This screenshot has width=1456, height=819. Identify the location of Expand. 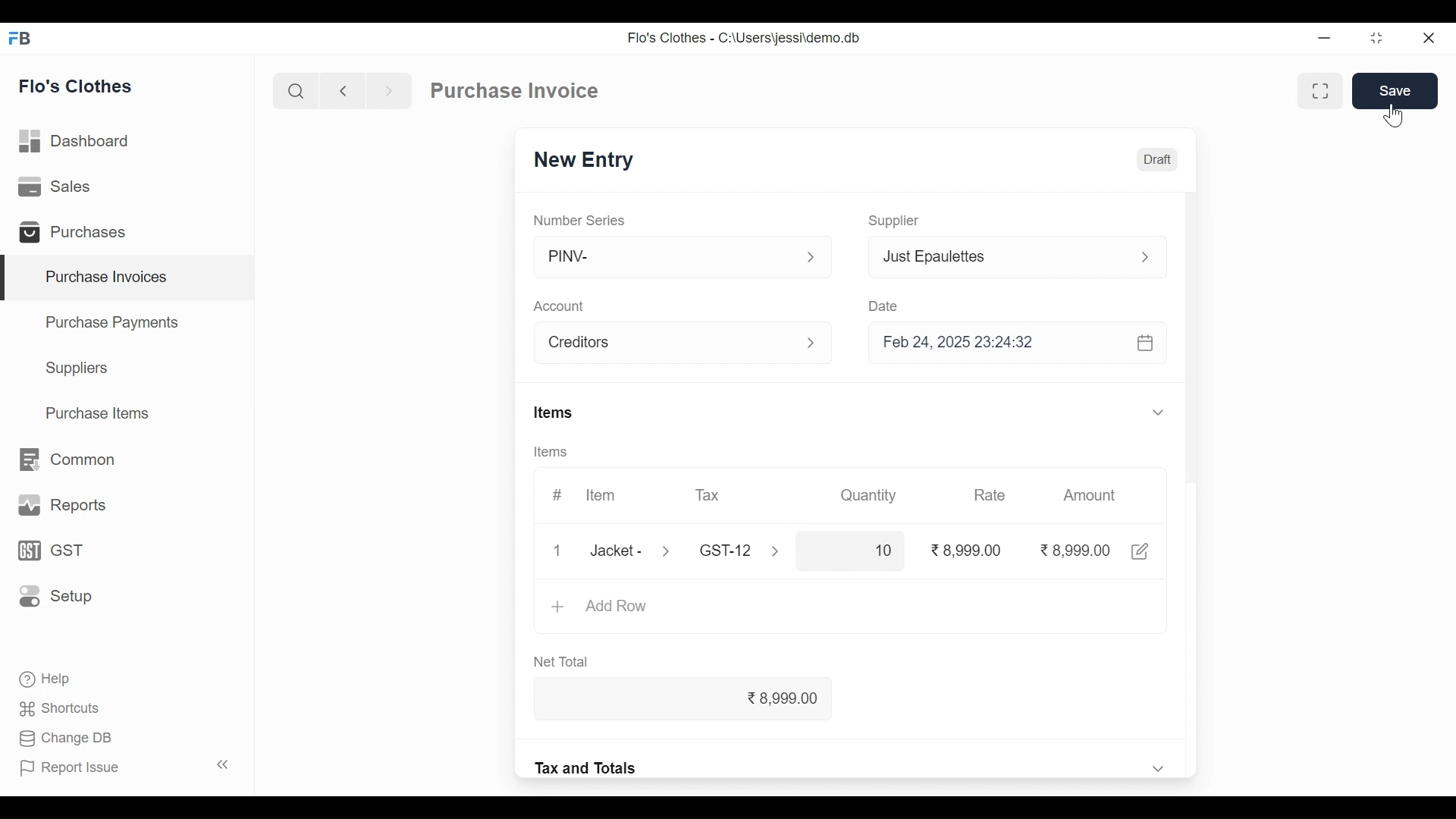
(817, 344).